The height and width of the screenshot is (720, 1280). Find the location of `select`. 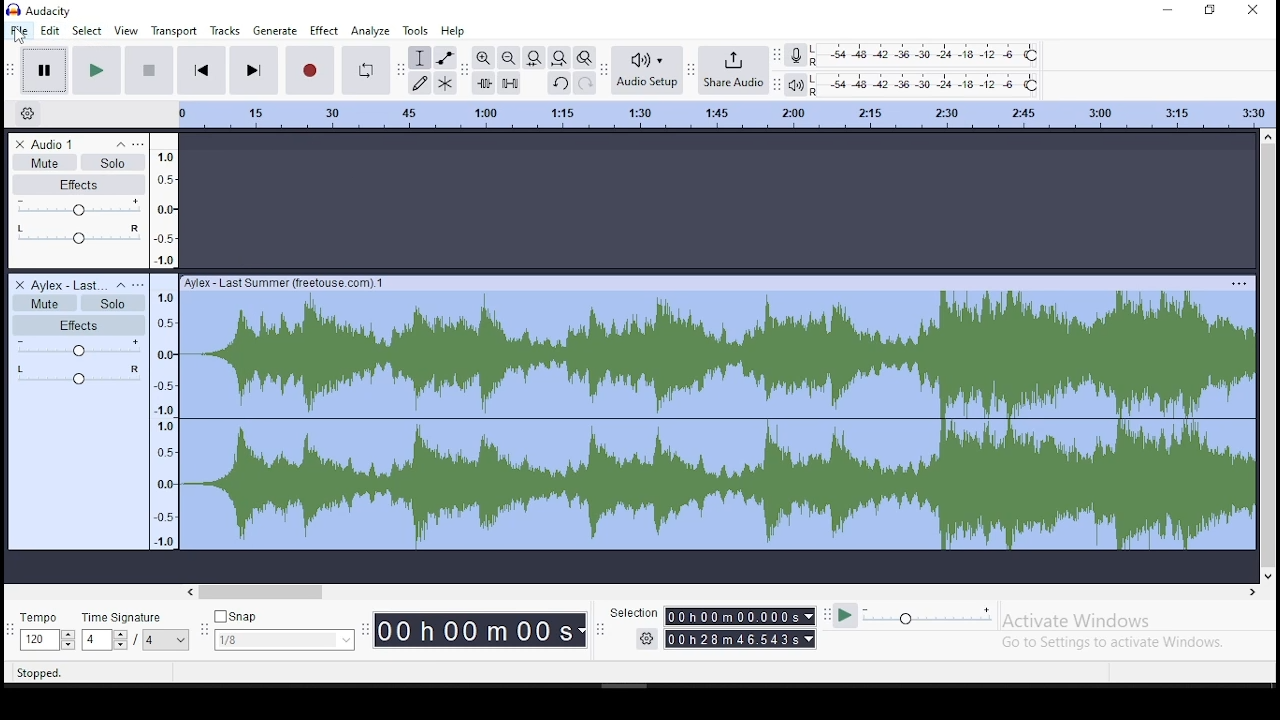

select is located at coordinates (88, 30).